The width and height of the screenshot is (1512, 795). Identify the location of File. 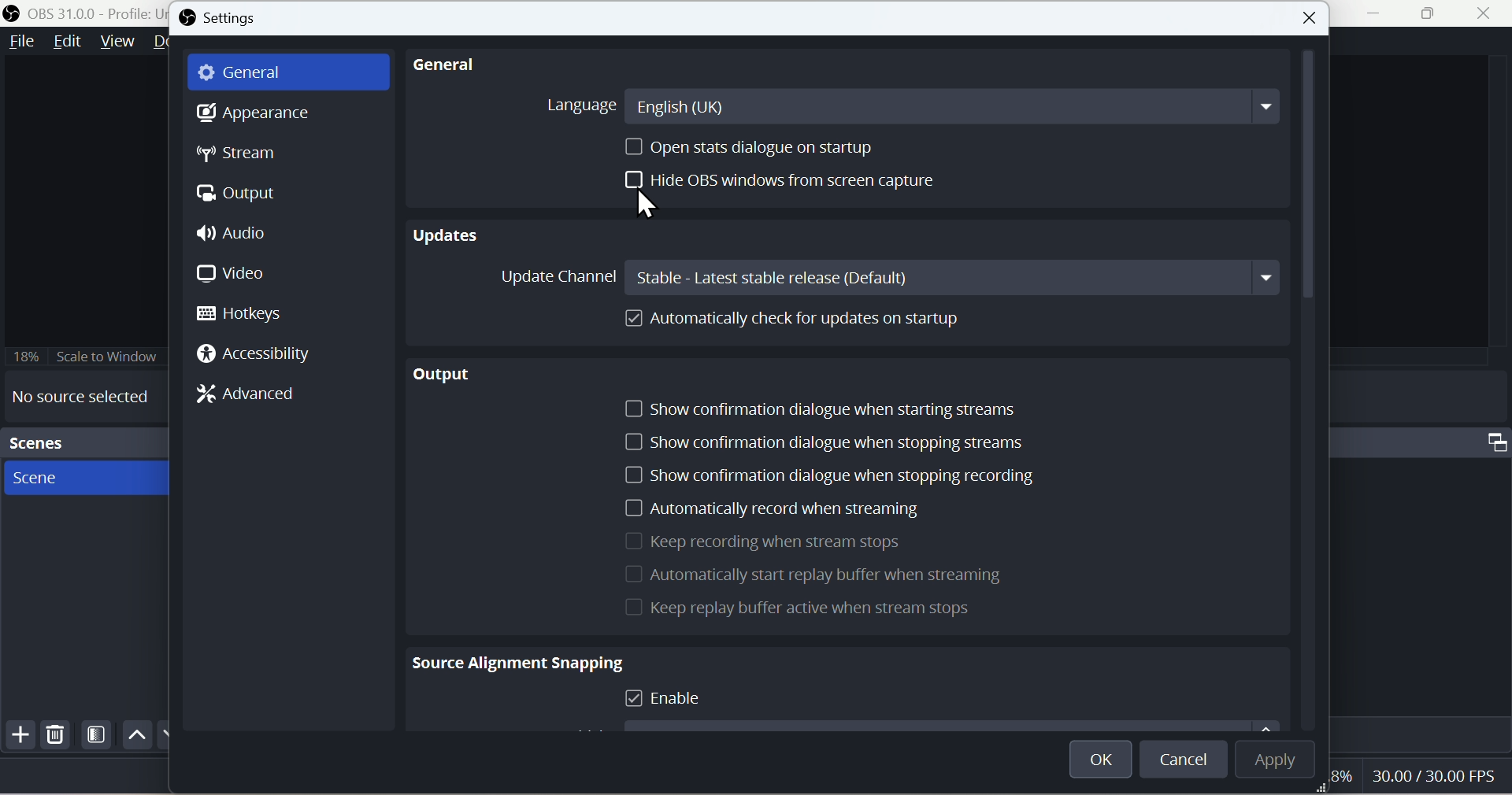
(18, 44).